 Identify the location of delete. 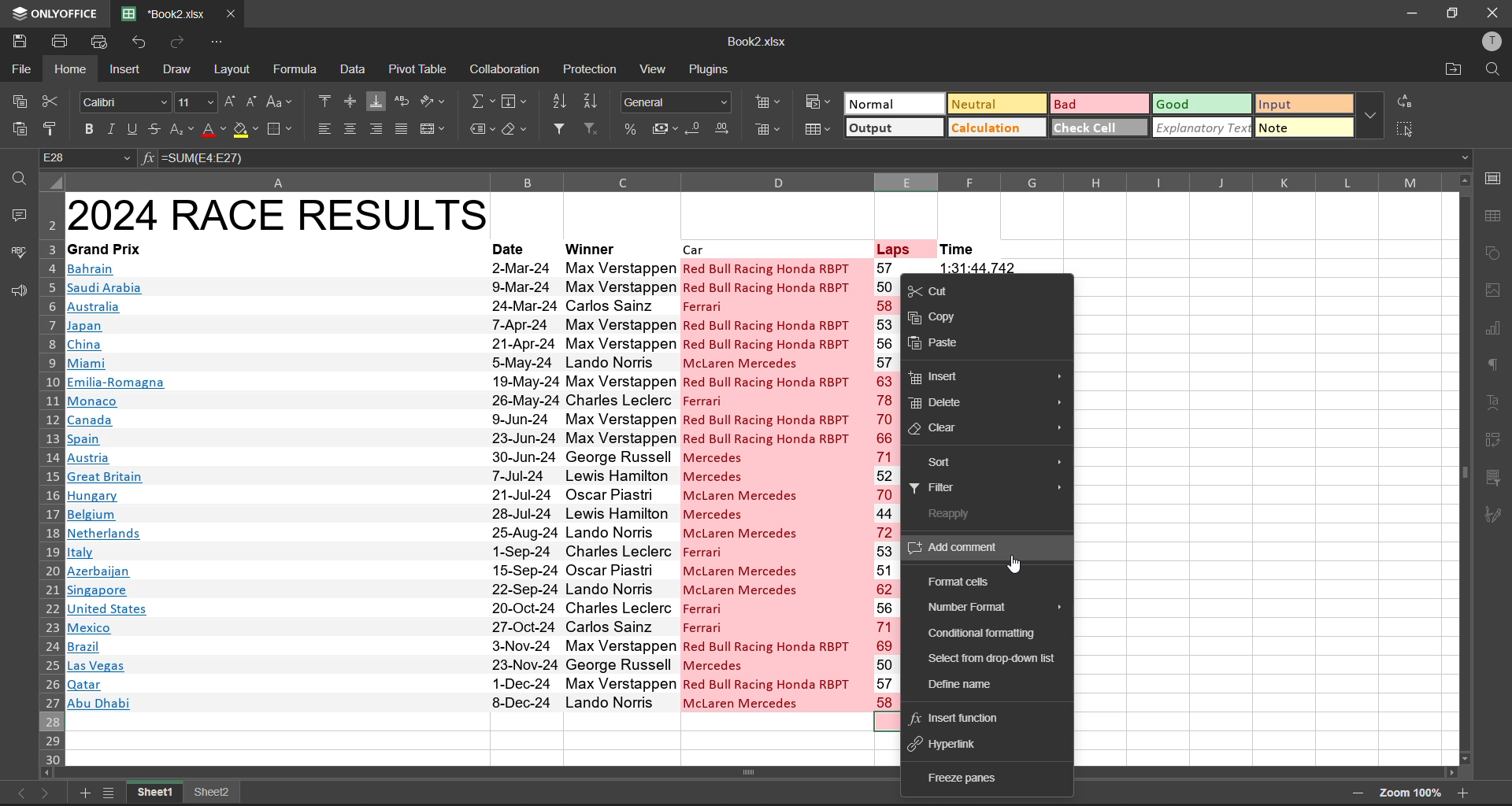
(985, 402).